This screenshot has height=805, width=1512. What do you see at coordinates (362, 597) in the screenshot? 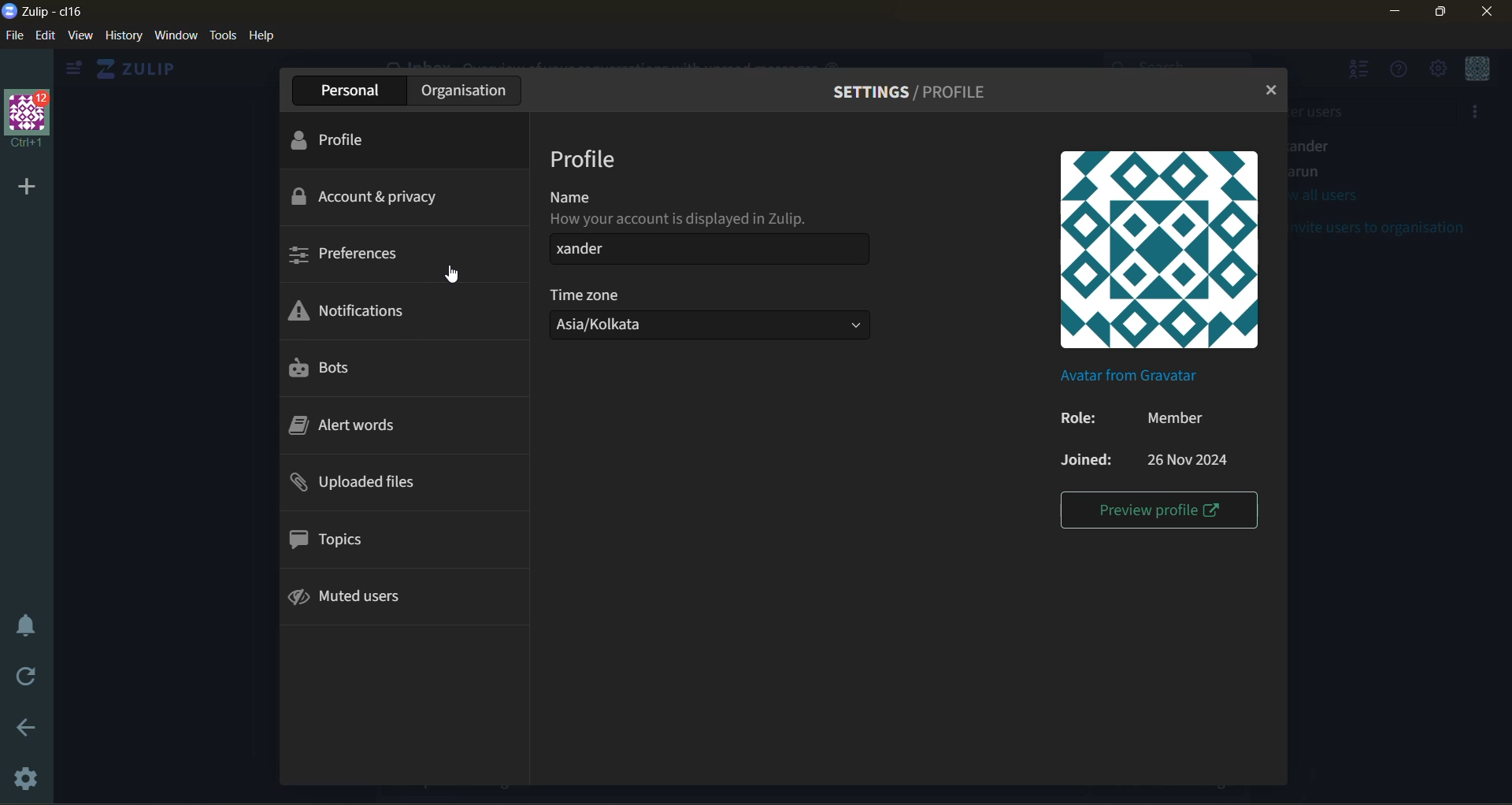
I see `muted users` at bounding box center [362, 597].